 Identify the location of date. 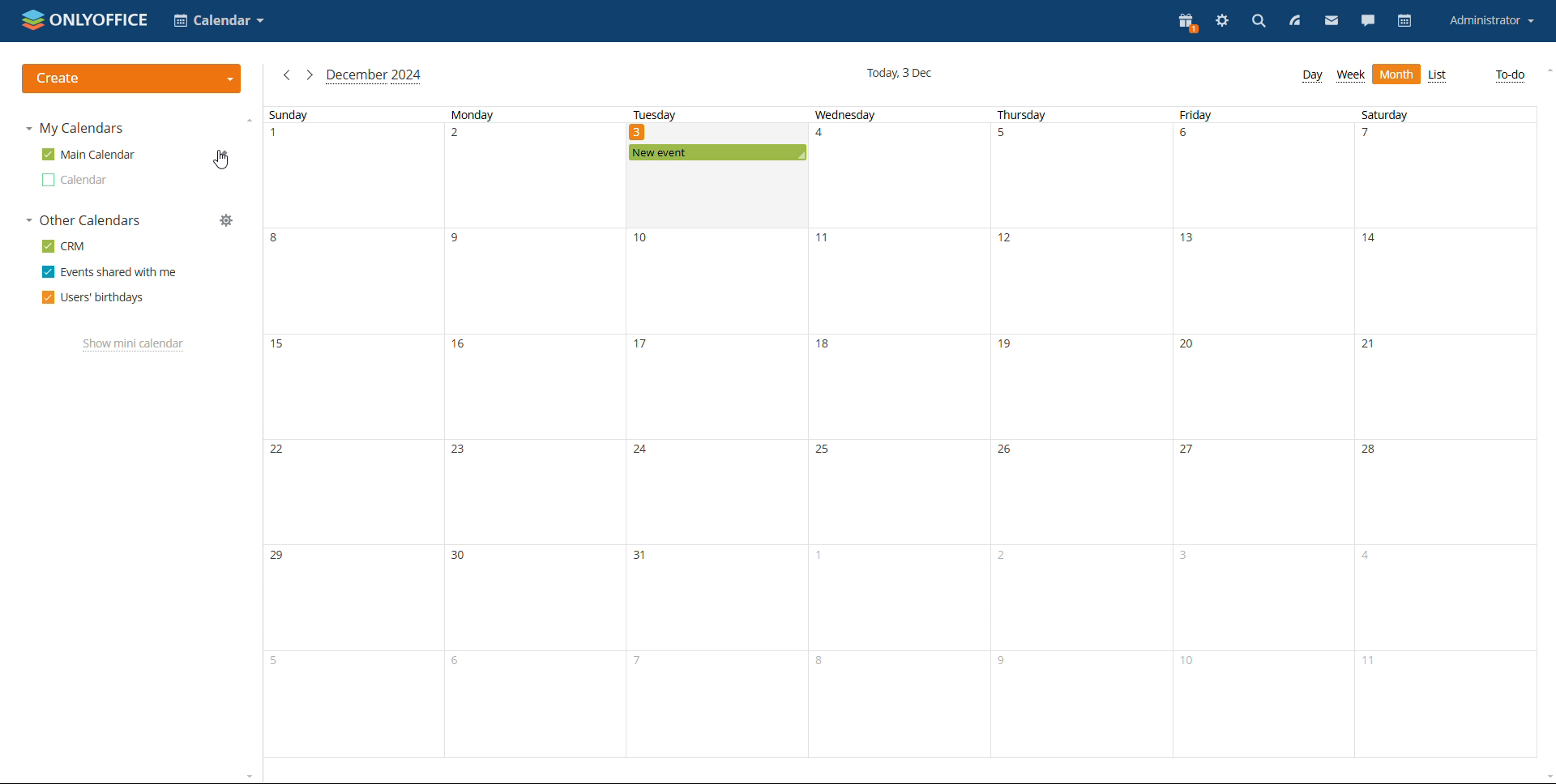
(351, 489).